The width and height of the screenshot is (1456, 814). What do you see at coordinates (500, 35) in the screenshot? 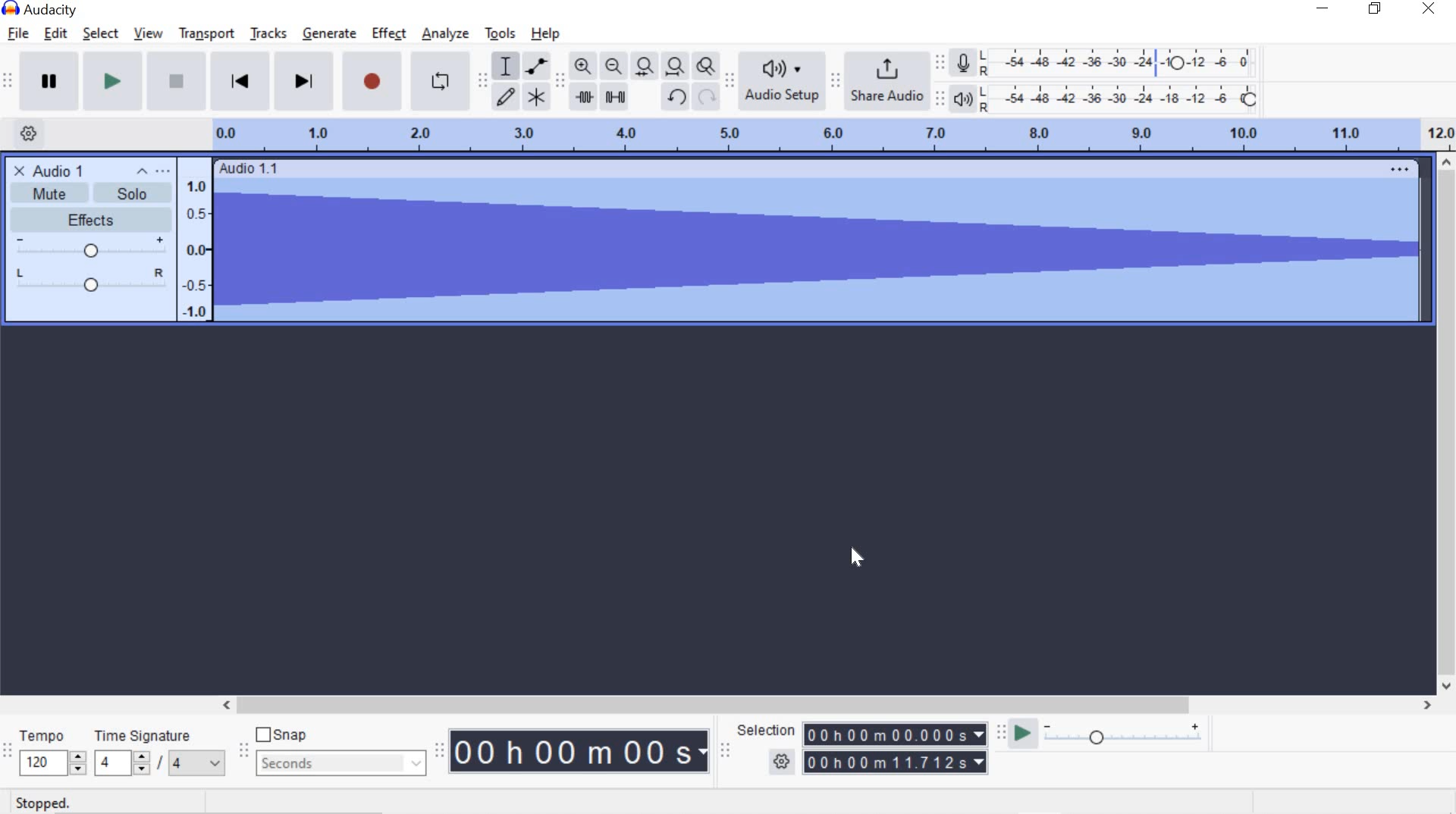
I see `tools` at bounding box center [500, 35].